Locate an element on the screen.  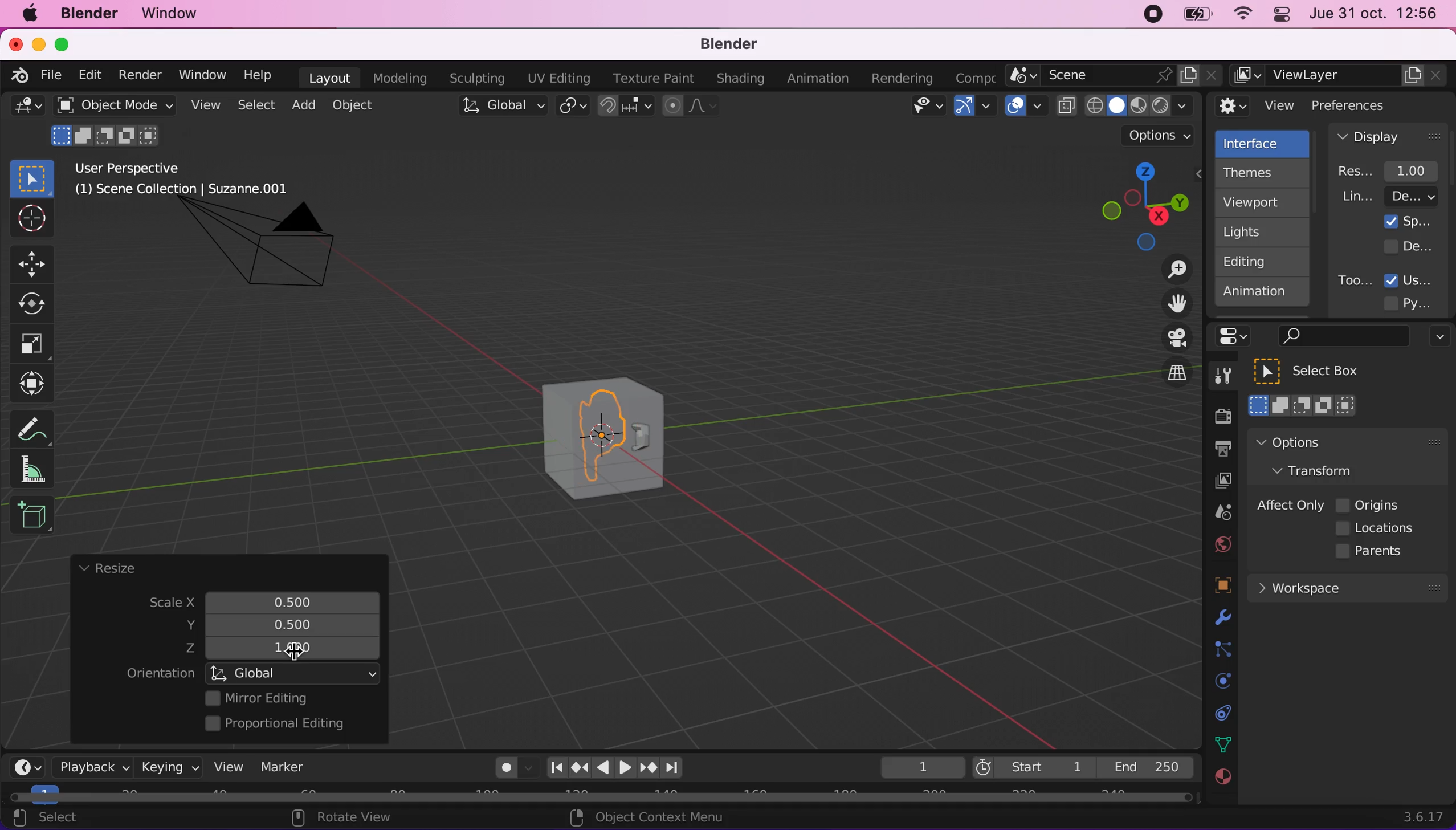
jump to end point is located at coordinates (553, 768).